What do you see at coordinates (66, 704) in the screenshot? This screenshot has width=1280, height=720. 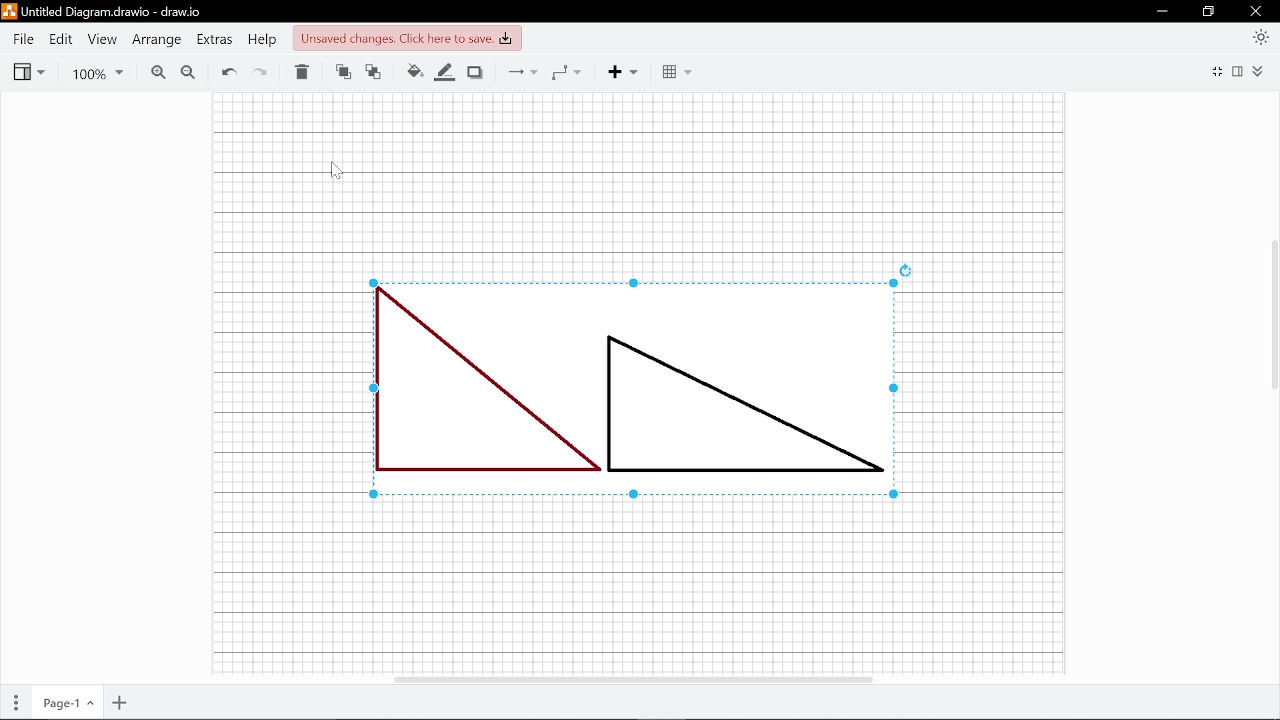 I see `Current page` at bounding box center [66, 704].